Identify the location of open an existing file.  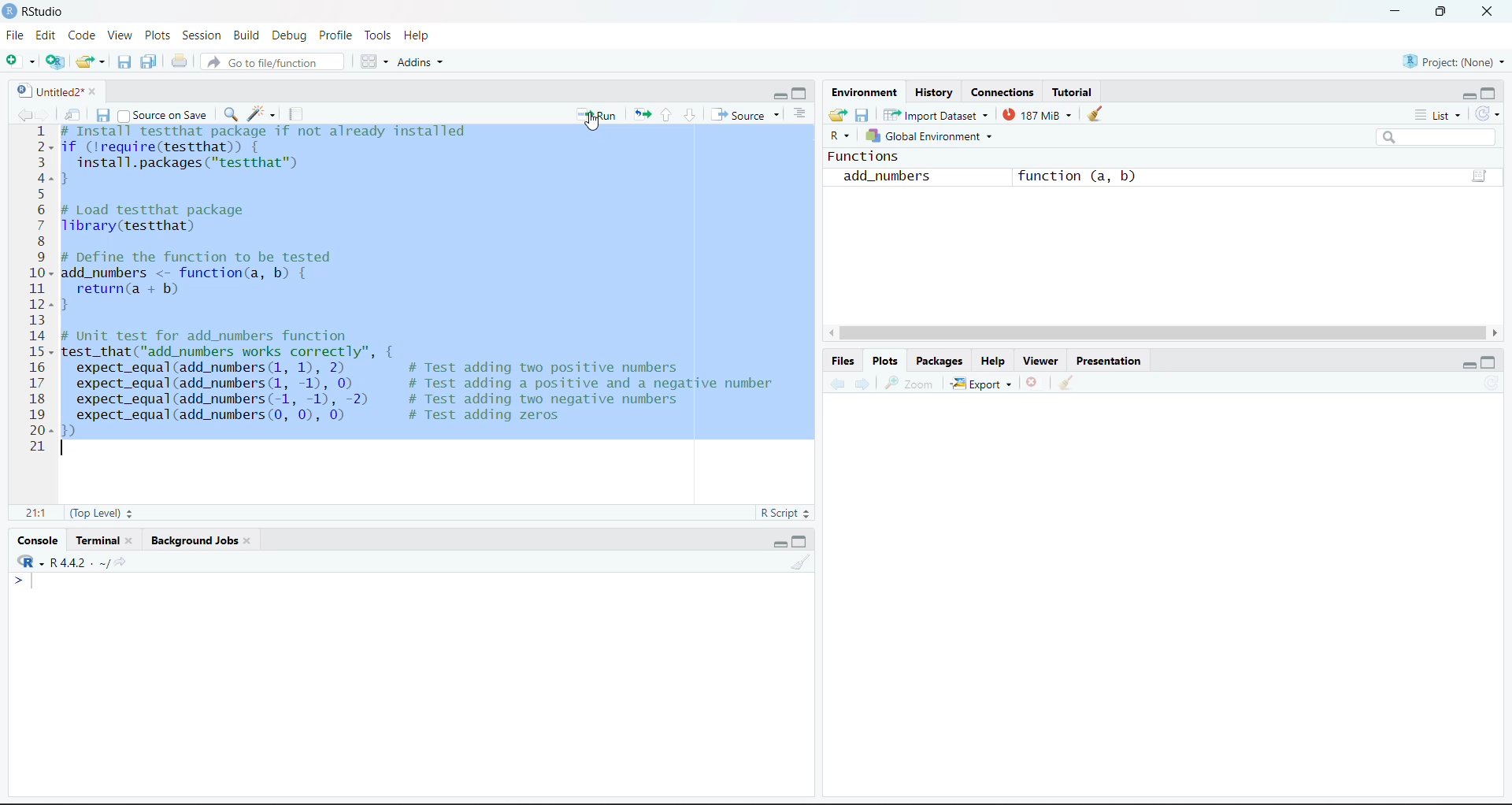
(91, 61).